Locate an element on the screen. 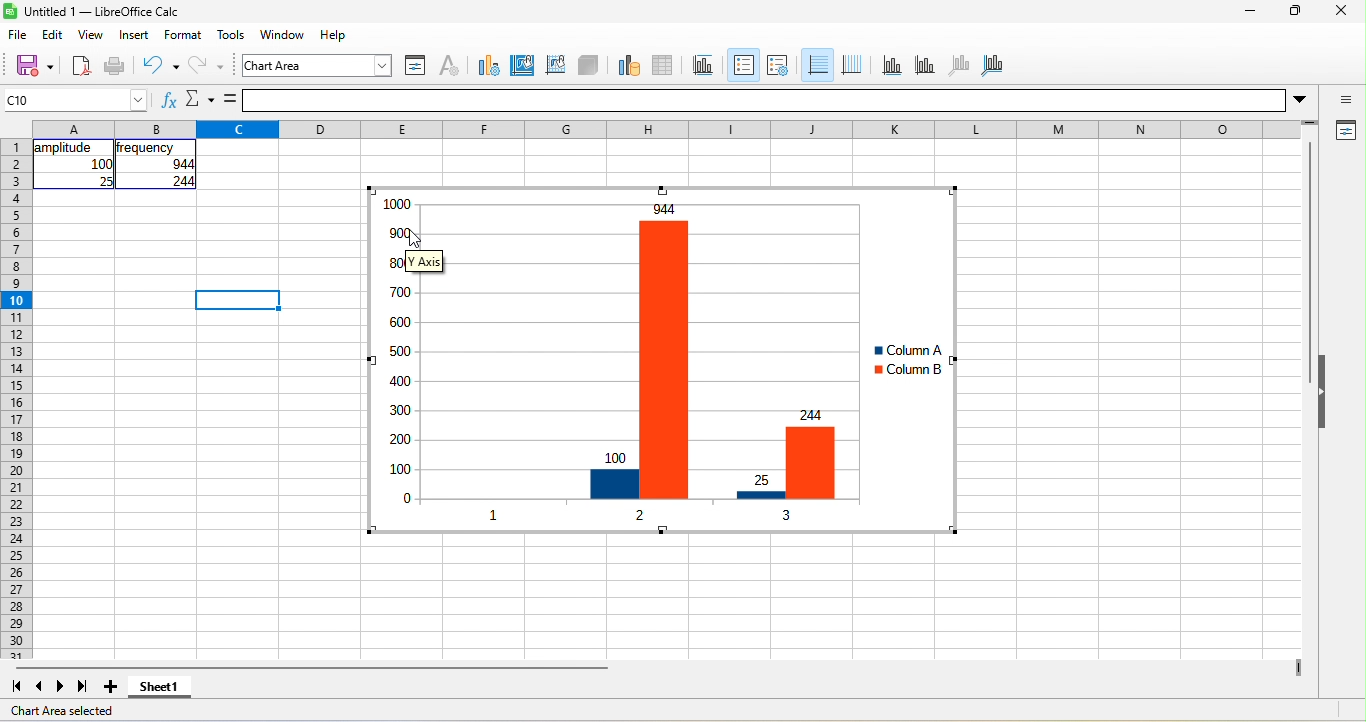  next sheet is located at coordinates (64, 686).